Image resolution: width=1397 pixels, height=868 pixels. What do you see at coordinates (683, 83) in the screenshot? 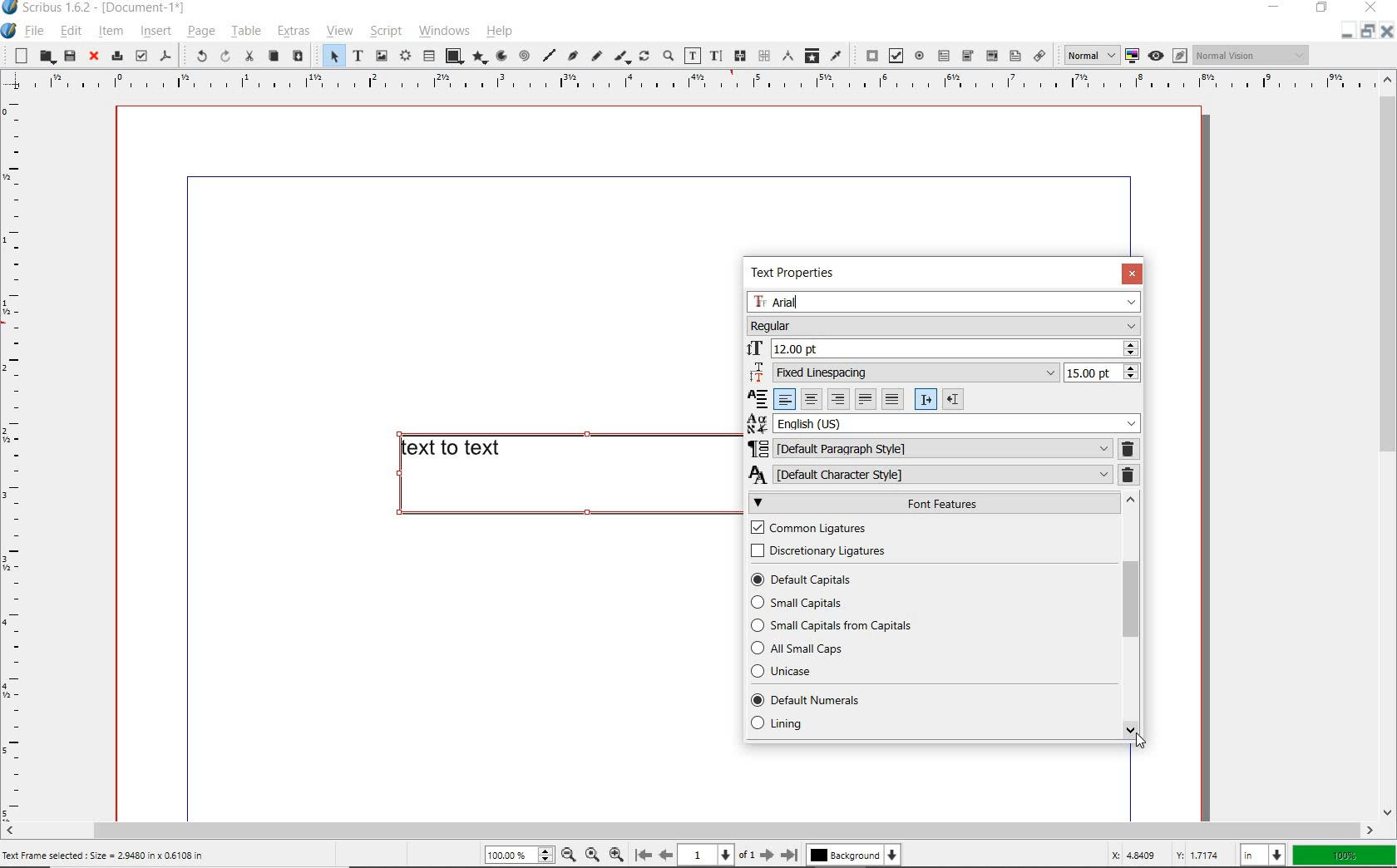
I see `Vertical page margin` at bounding box center [683, 83].